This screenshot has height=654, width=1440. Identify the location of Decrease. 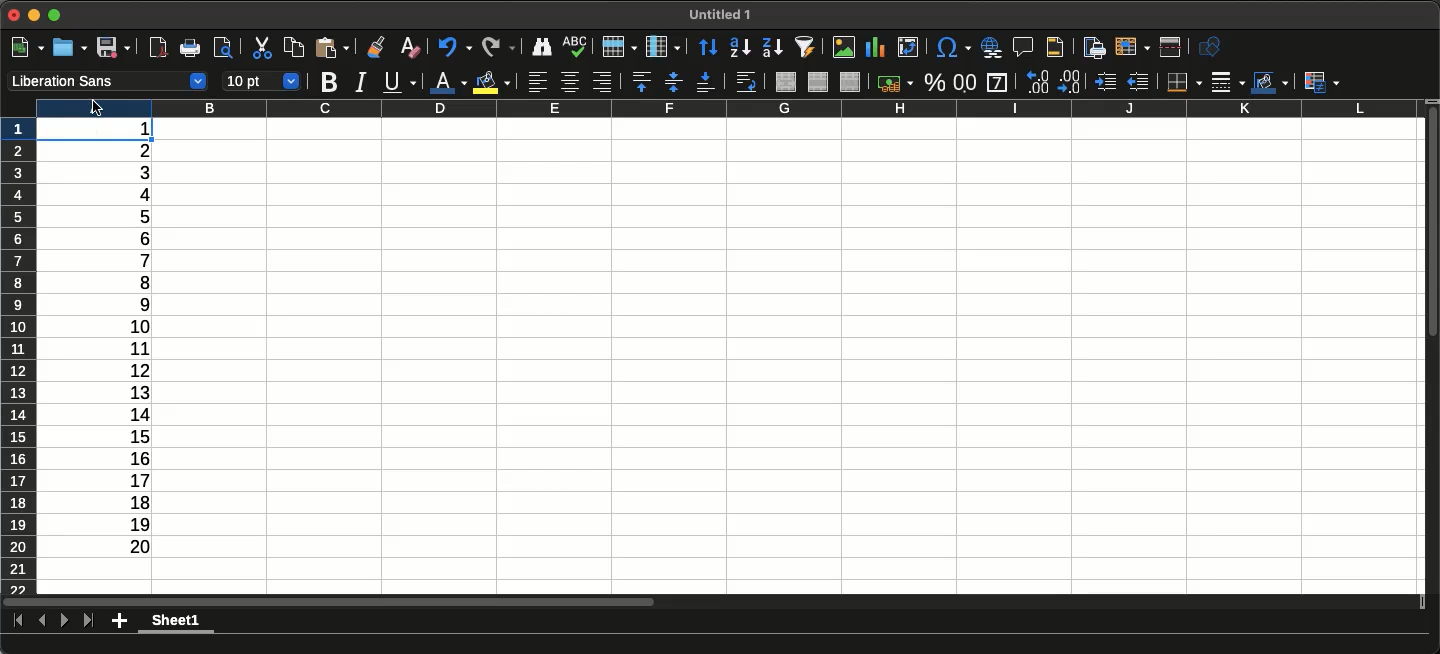
(1142, 83).